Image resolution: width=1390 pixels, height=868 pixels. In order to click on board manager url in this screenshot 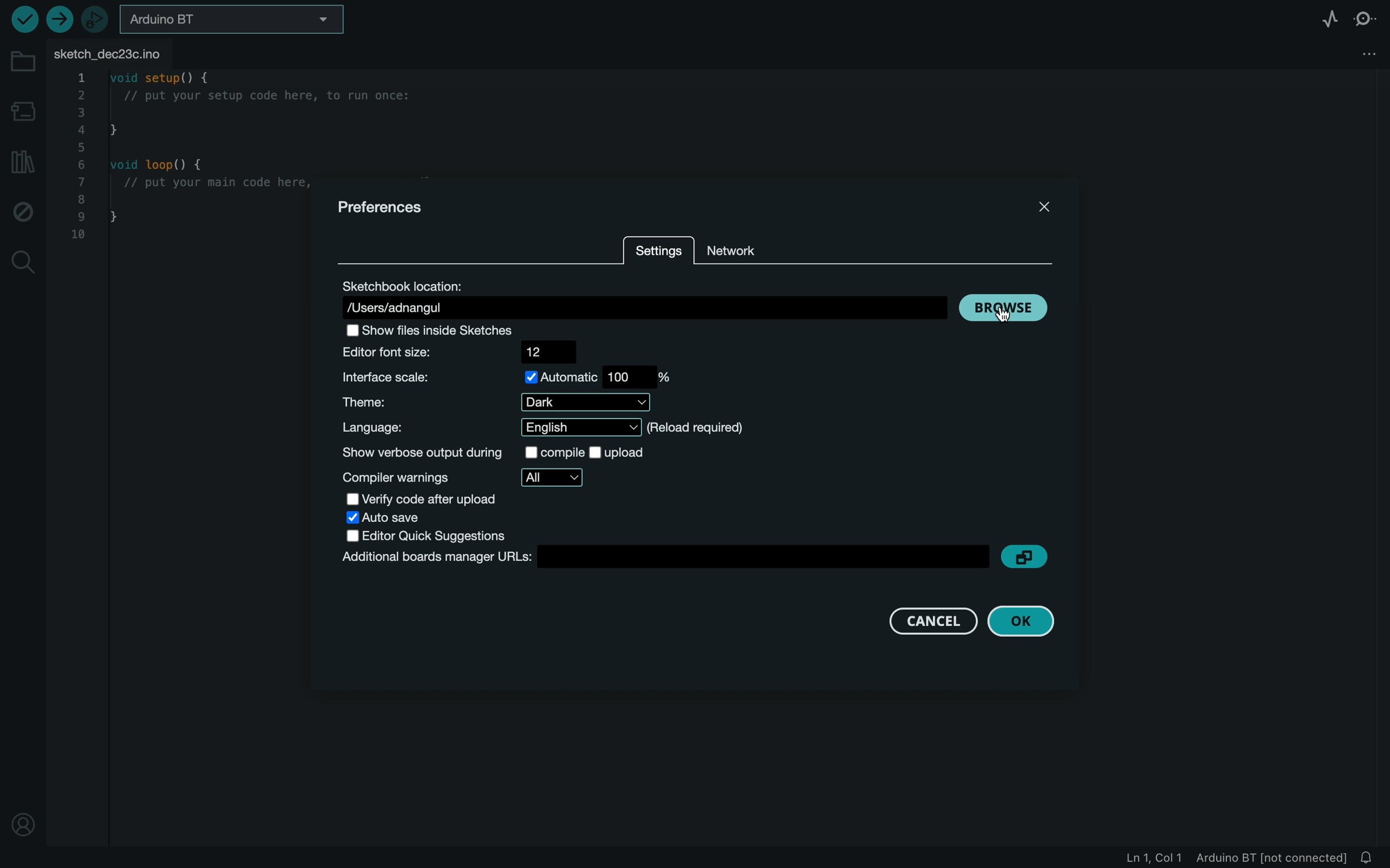, I will do `click(697, 558)`.